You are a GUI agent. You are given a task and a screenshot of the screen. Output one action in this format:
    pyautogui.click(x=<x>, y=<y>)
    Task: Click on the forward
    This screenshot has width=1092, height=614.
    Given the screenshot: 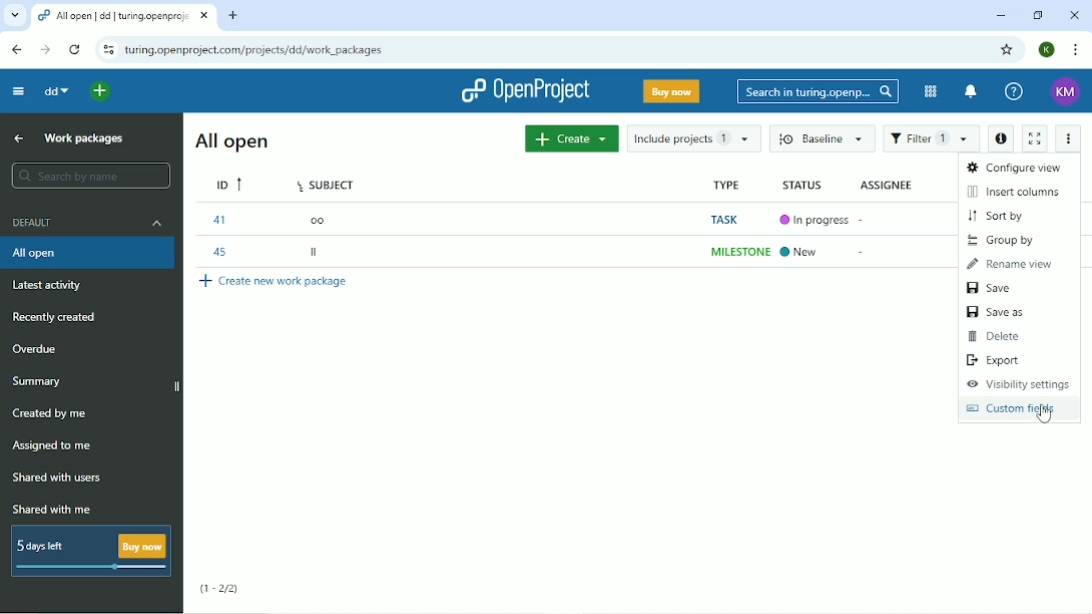 What is the action you would take?
    pyautogui.click(x=42, y=50)
    